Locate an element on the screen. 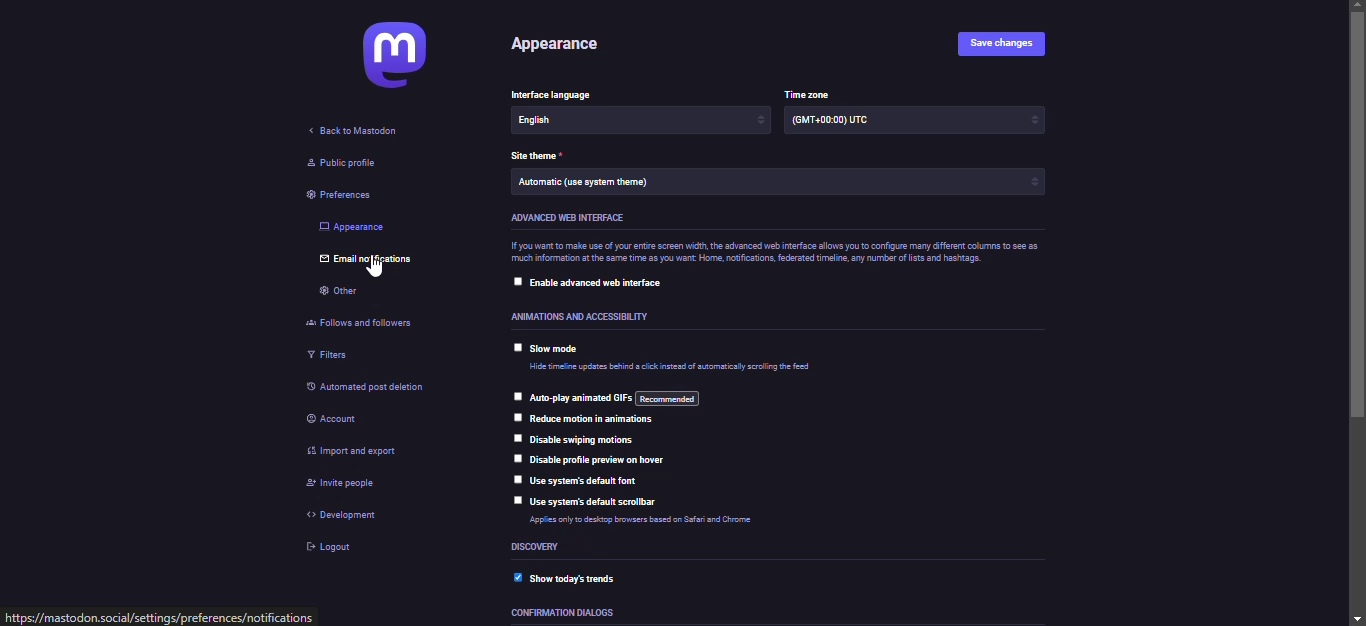 This screenshot has width=1366, height=626. appearance is located at coordinates (354, 226).